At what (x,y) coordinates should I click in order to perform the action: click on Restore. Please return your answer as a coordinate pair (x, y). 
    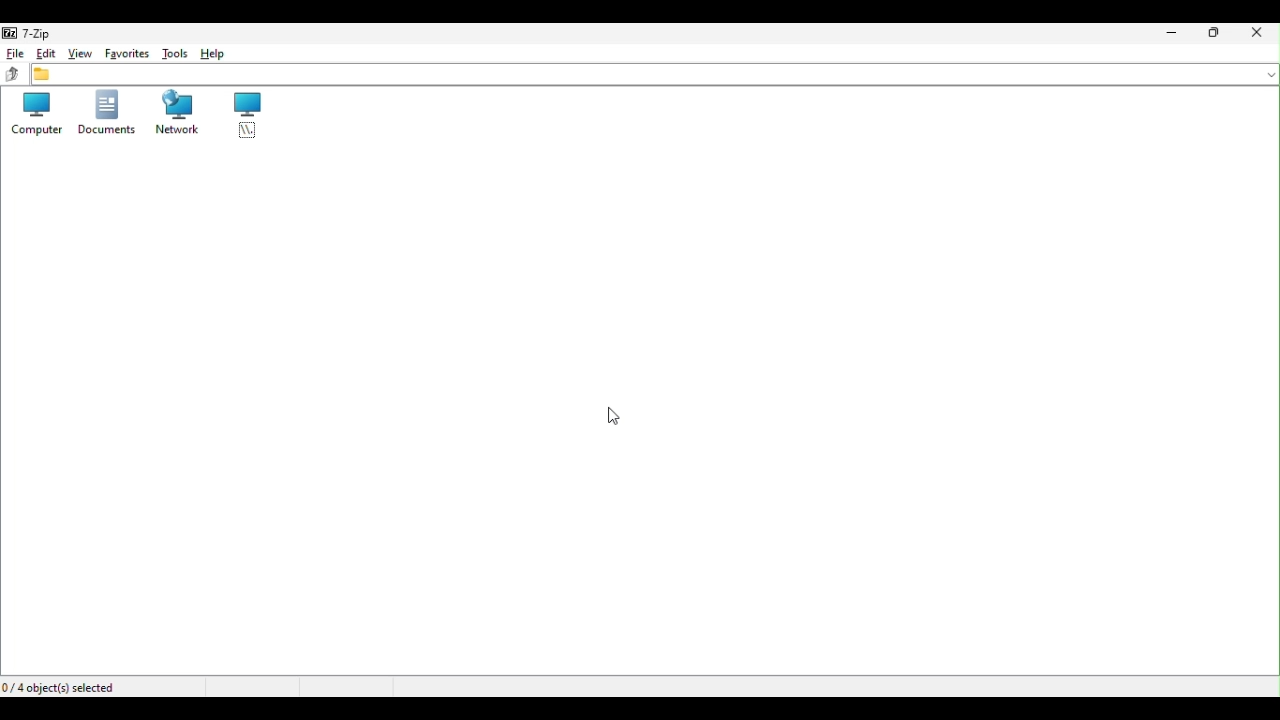
    Looking at the image, I should click on (1219, 31).